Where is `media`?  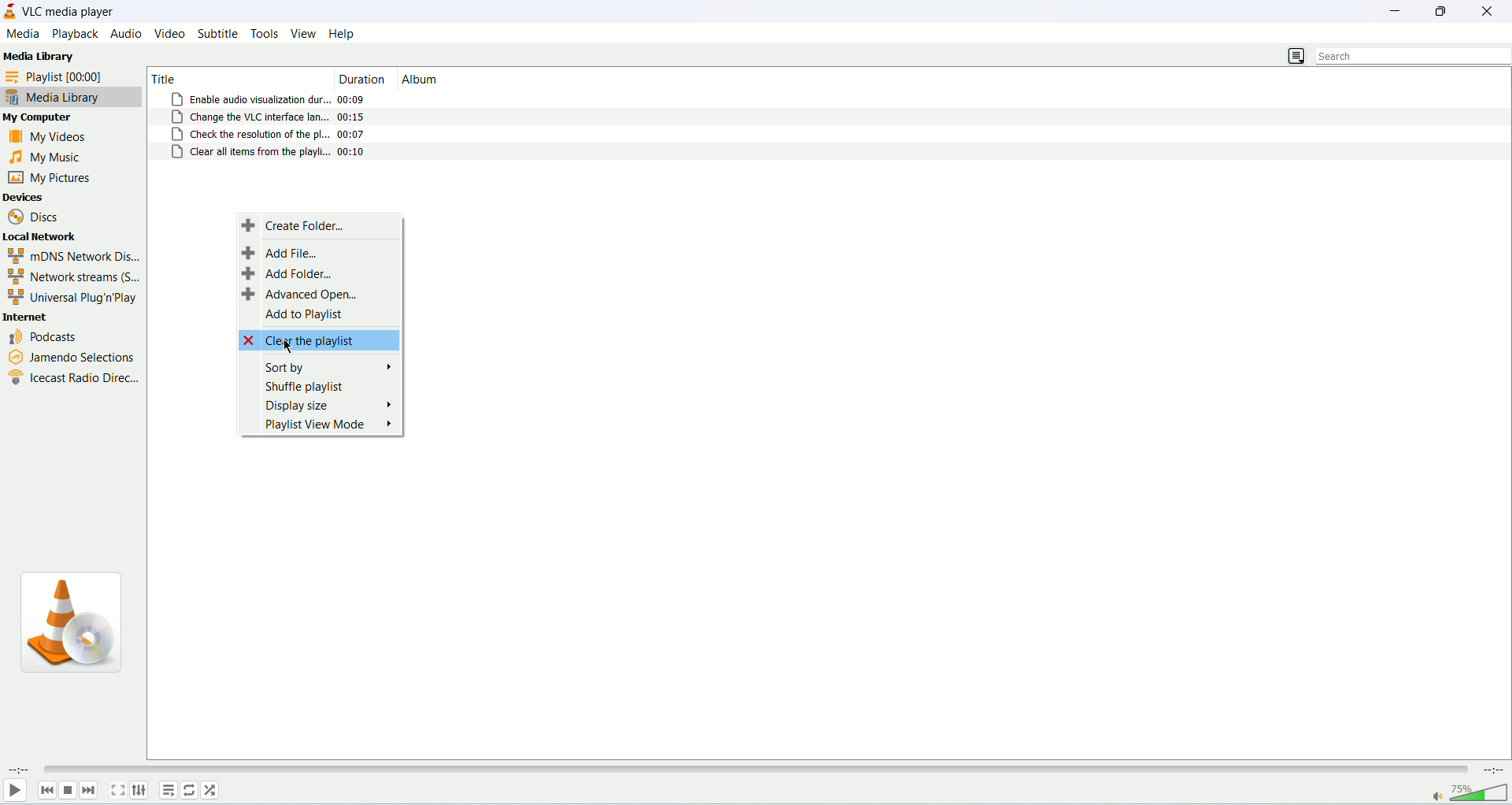
media is located at coordinates (20, 34).